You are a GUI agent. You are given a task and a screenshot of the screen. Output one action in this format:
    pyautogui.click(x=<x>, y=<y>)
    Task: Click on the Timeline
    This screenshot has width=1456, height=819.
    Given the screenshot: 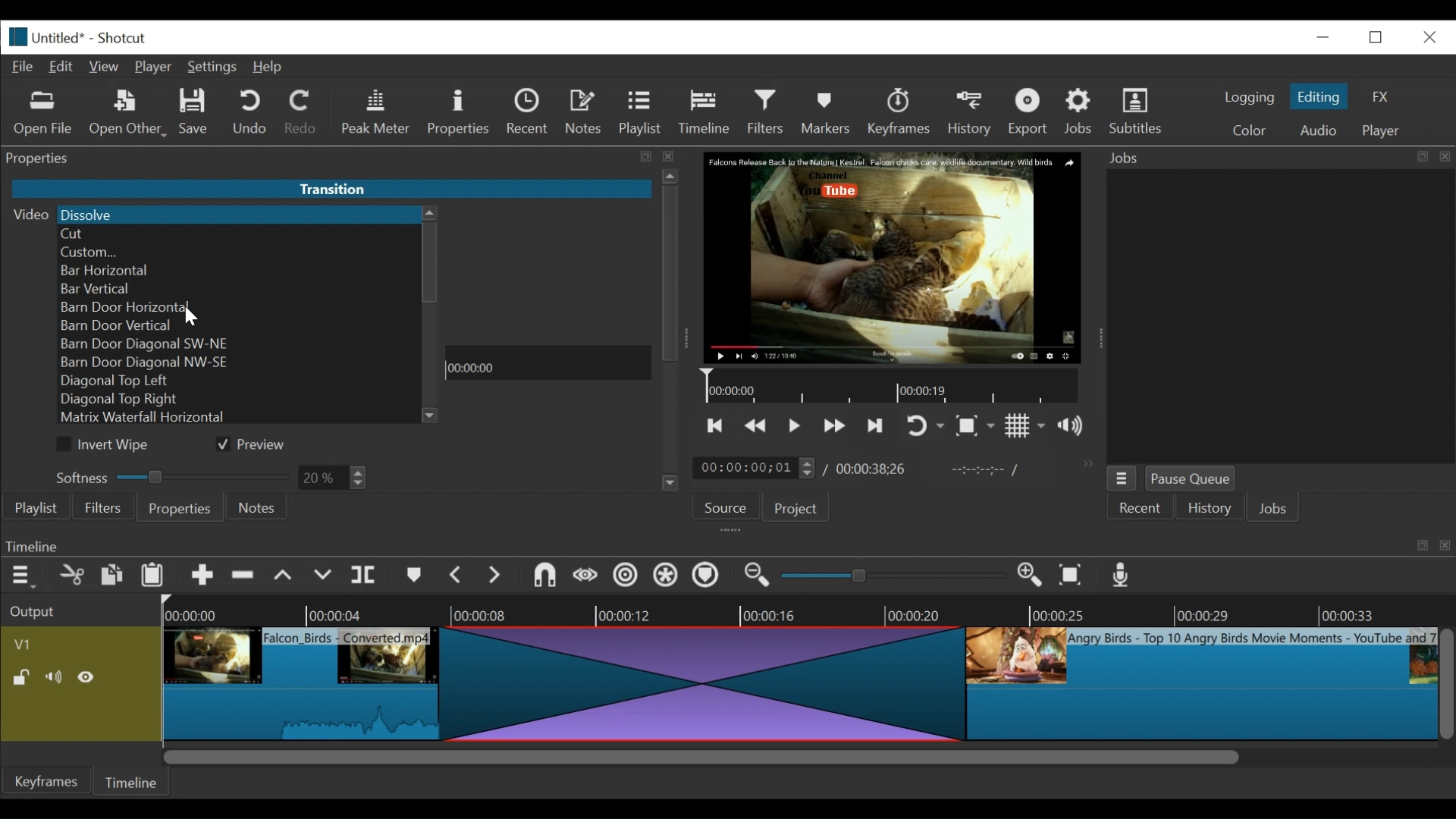 What is the action you would take?
    pyautogui.click(x=808, y=610)
    